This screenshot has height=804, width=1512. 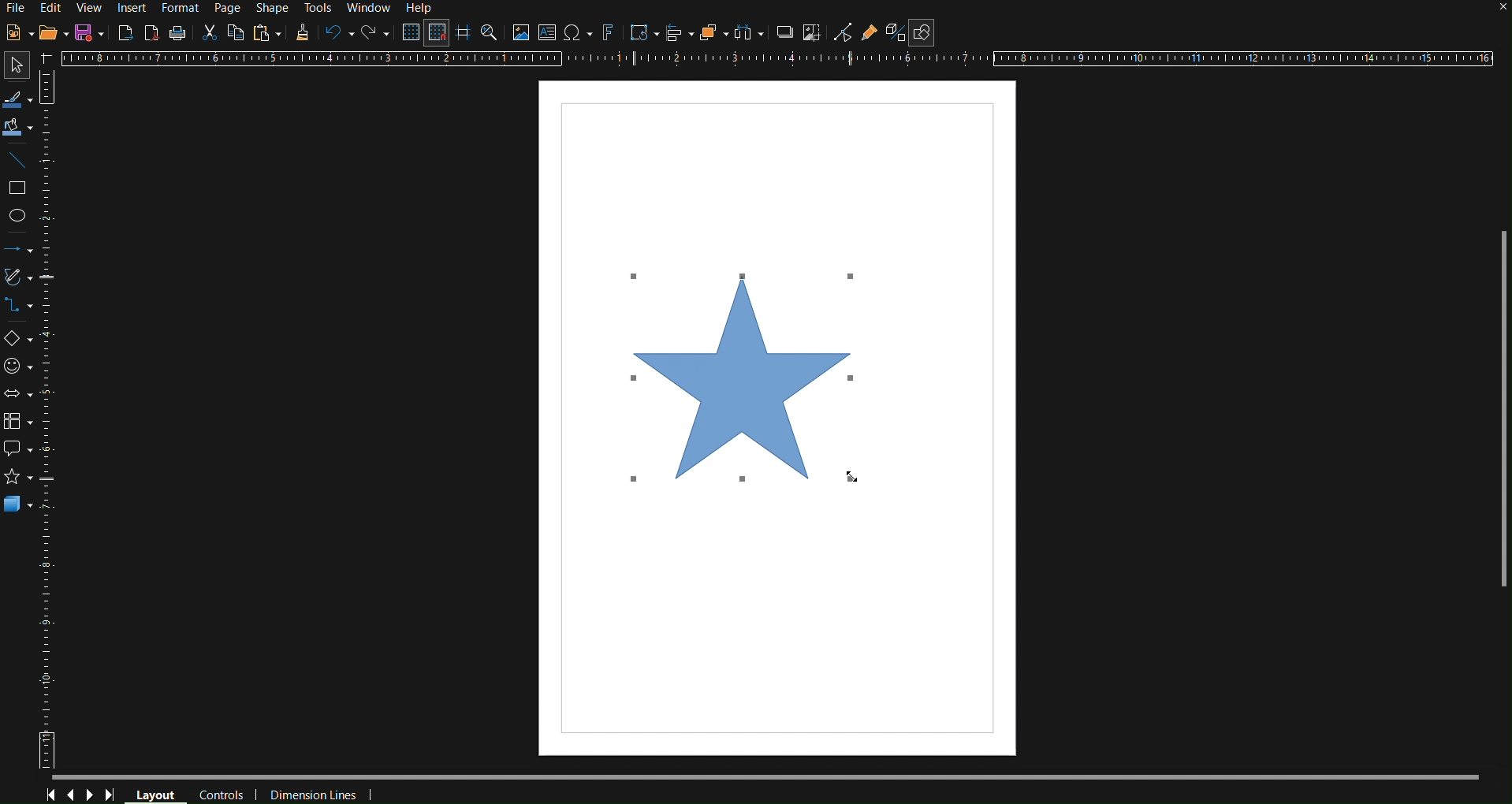 I want to click on Show Gluepoint Functions, so click(x=871, y=33).